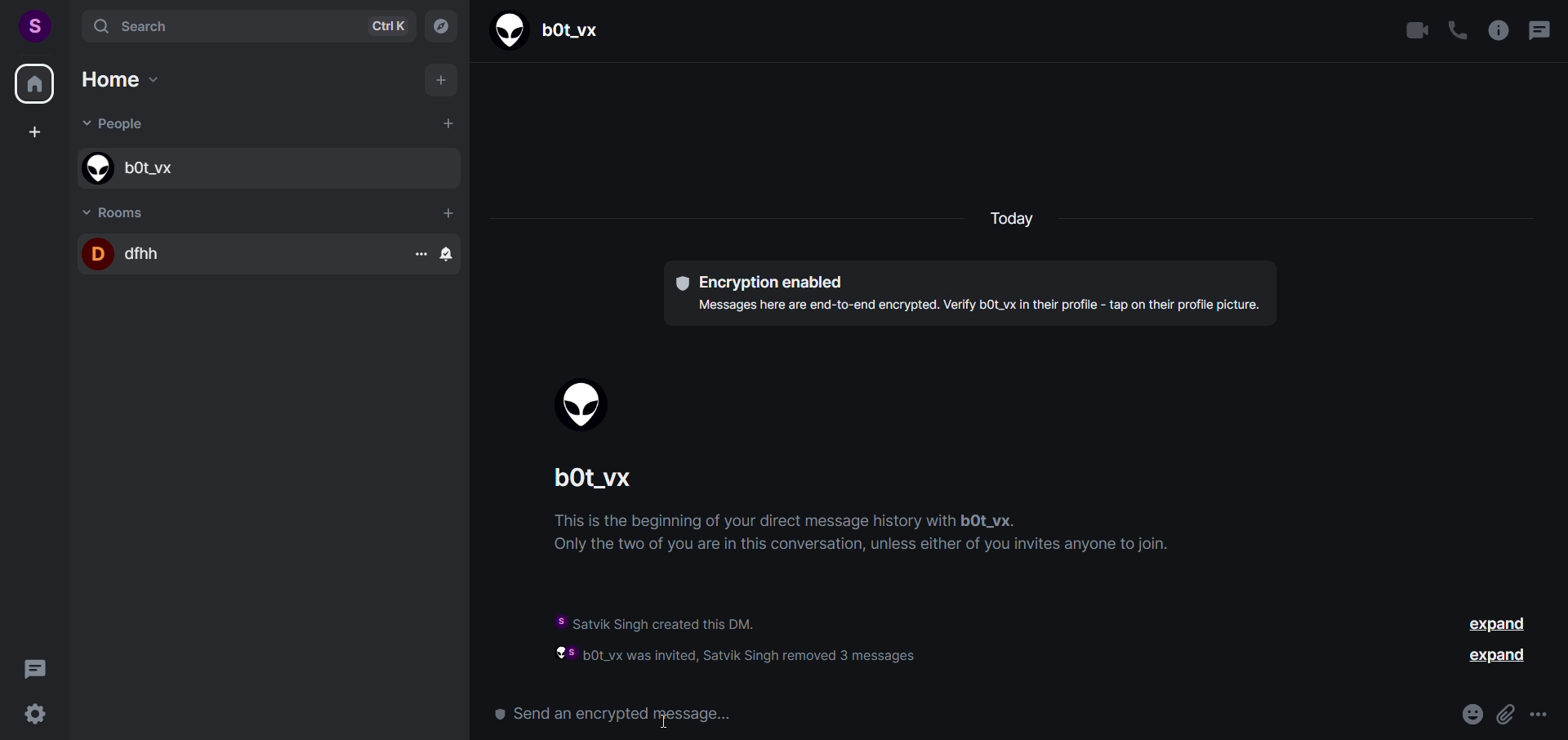 The image size is (1568, 740). What do you see at coordinates (446, 123) in the screenshot?
I see `add people` at bounding box center [446, 123].